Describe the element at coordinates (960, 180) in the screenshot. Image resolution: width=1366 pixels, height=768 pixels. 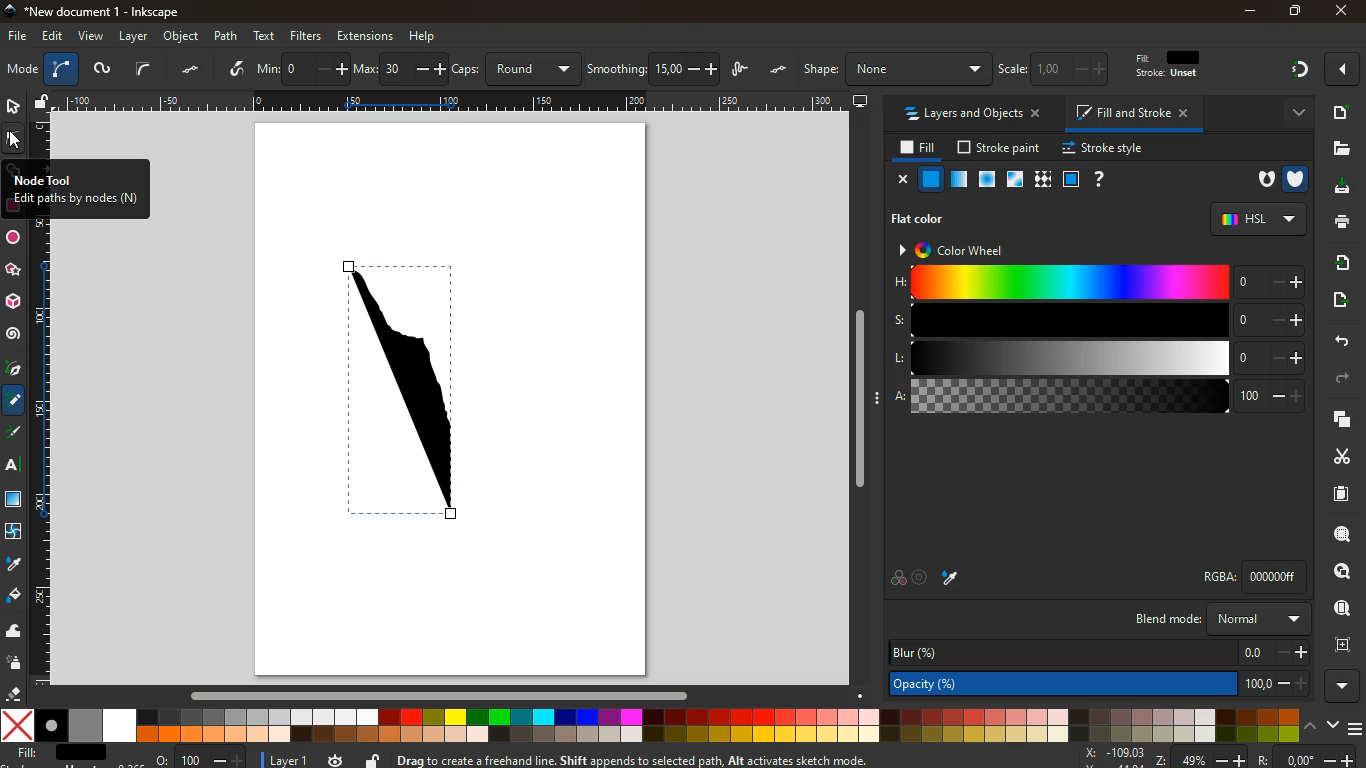
I see `opacity` at that location.